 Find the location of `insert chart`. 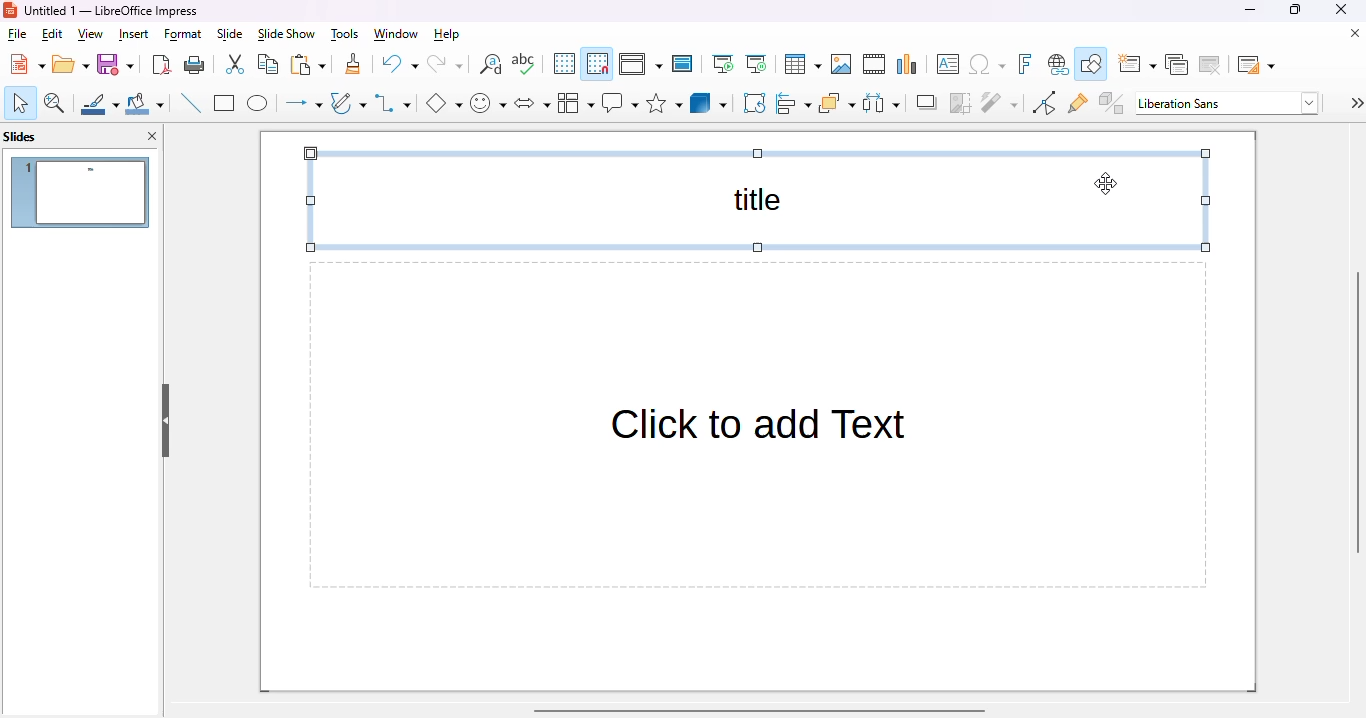

insert chart is located at coordinates (908, 65).